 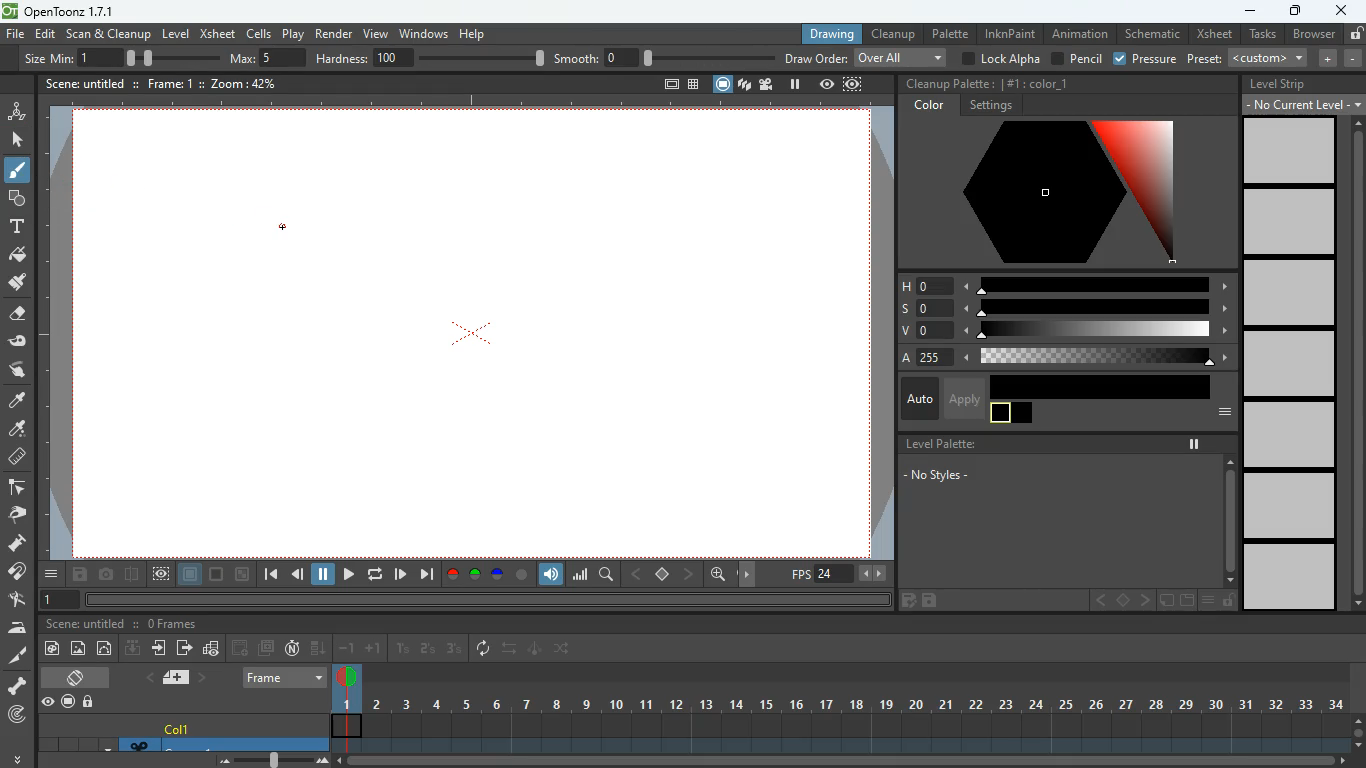 What do you see at coordinates (172, 624) in the screenshot?
I see `frames` at bounding box center [172, 624].